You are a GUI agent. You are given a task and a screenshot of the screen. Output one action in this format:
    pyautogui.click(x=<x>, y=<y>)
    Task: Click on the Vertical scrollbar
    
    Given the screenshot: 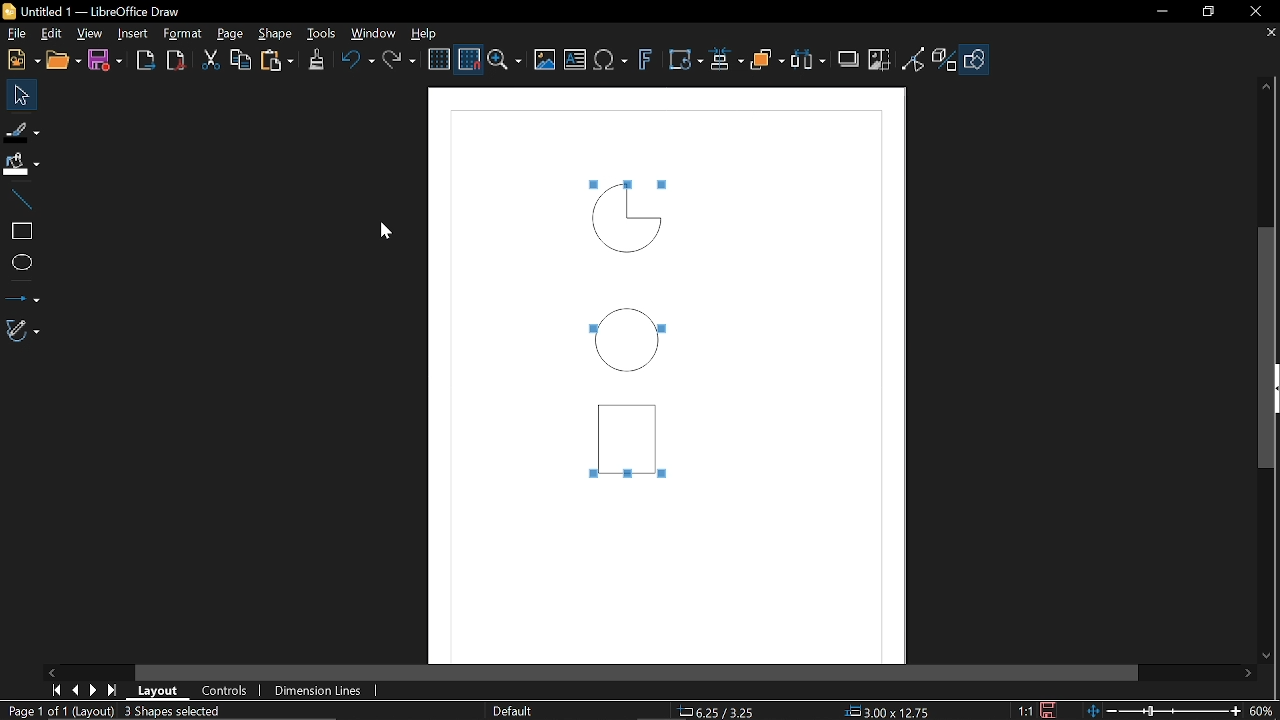 What is the action you would take?
    pyautogui.click(x=1266, y=346)
    